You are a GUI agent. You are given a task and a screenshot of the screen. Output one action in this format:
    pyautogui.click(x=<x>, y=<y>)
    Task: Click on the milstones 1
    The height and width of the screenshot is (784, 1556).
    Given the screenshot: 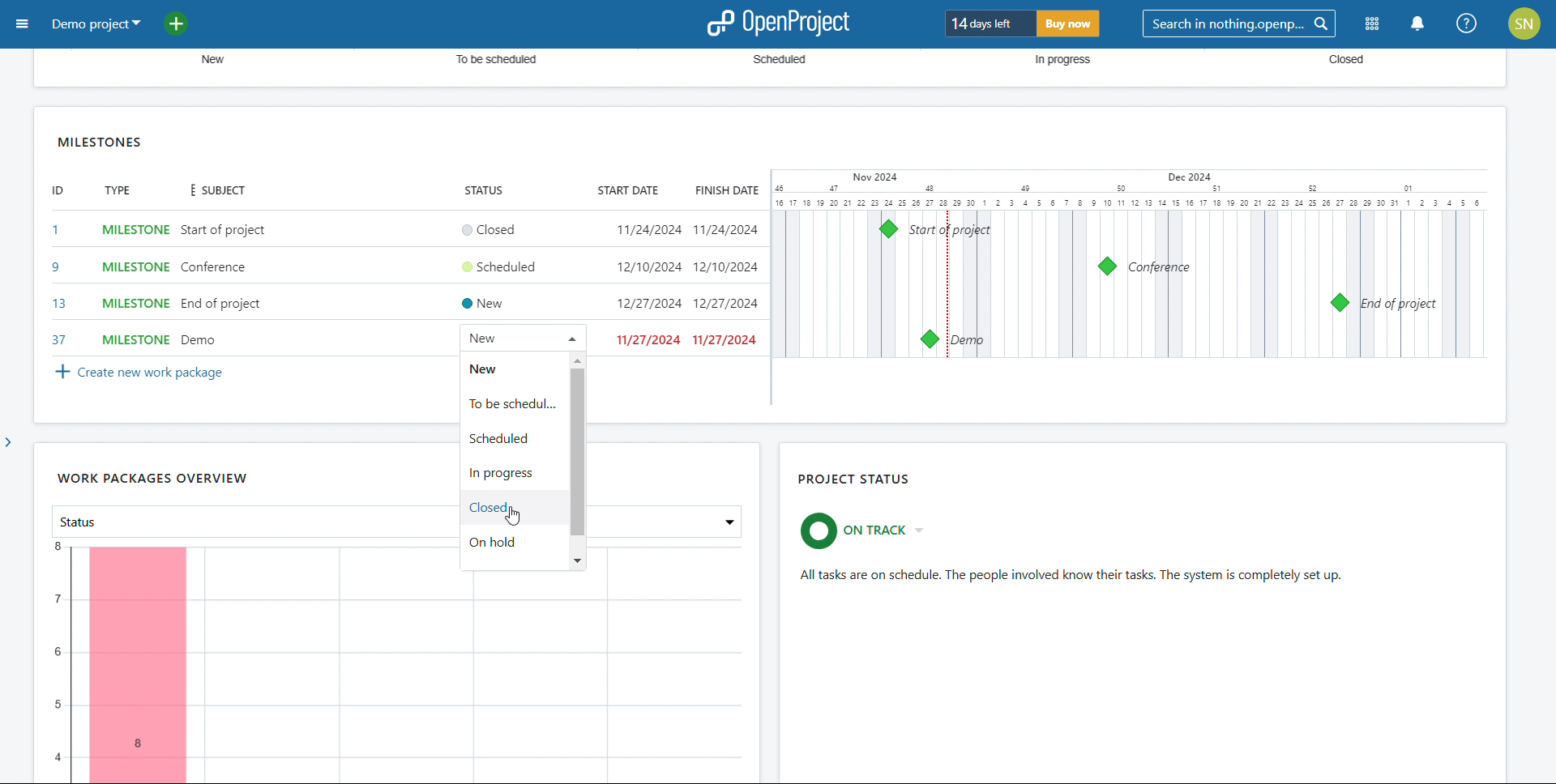 What is the action you would take?
    pyautogui.click(x=889, y=228)
    